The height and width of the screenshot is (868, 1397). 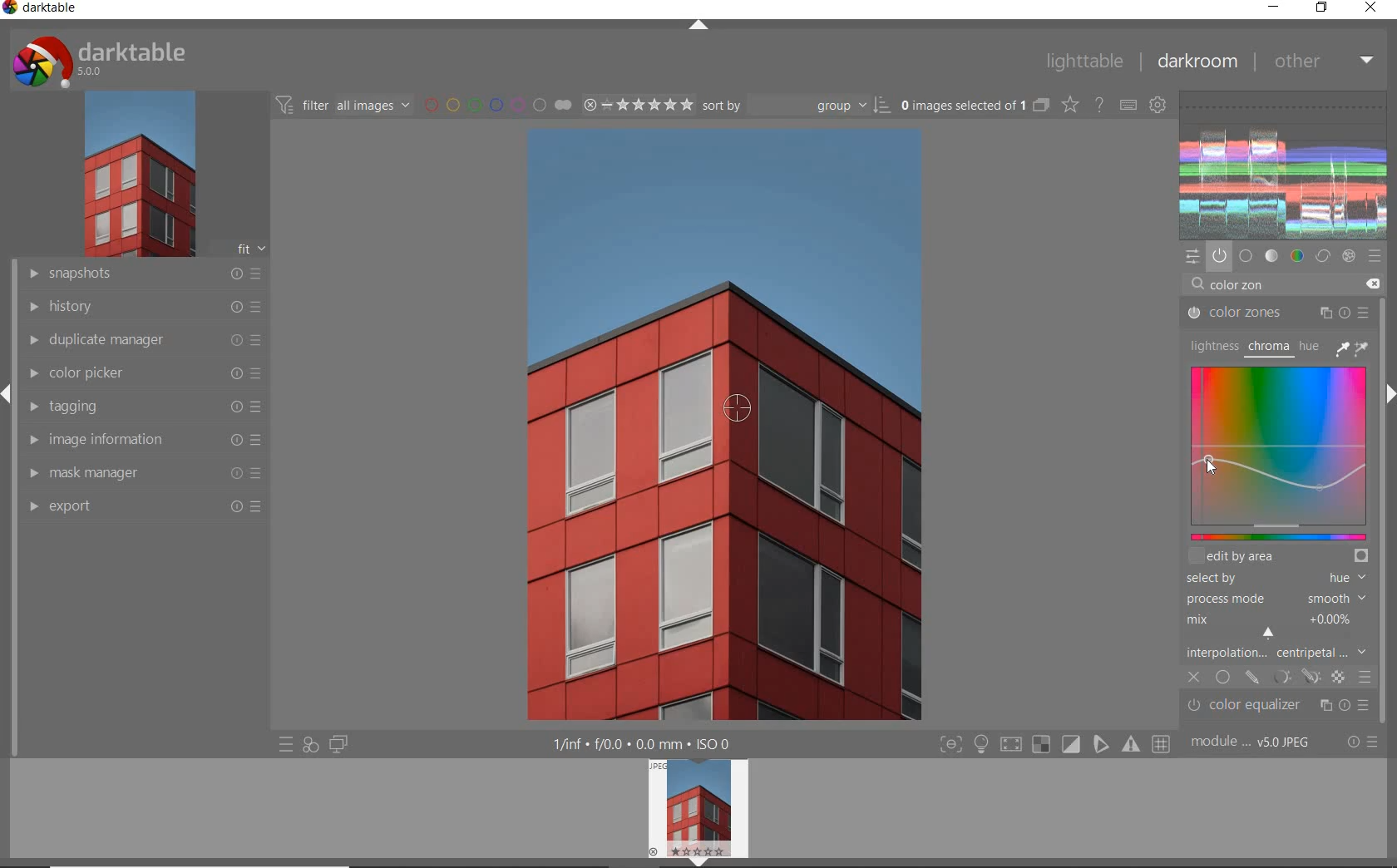 What do you see at coordinates (703, 861) in the screenshot?
I see `expand/collapse` at bounding box center [703, 861].